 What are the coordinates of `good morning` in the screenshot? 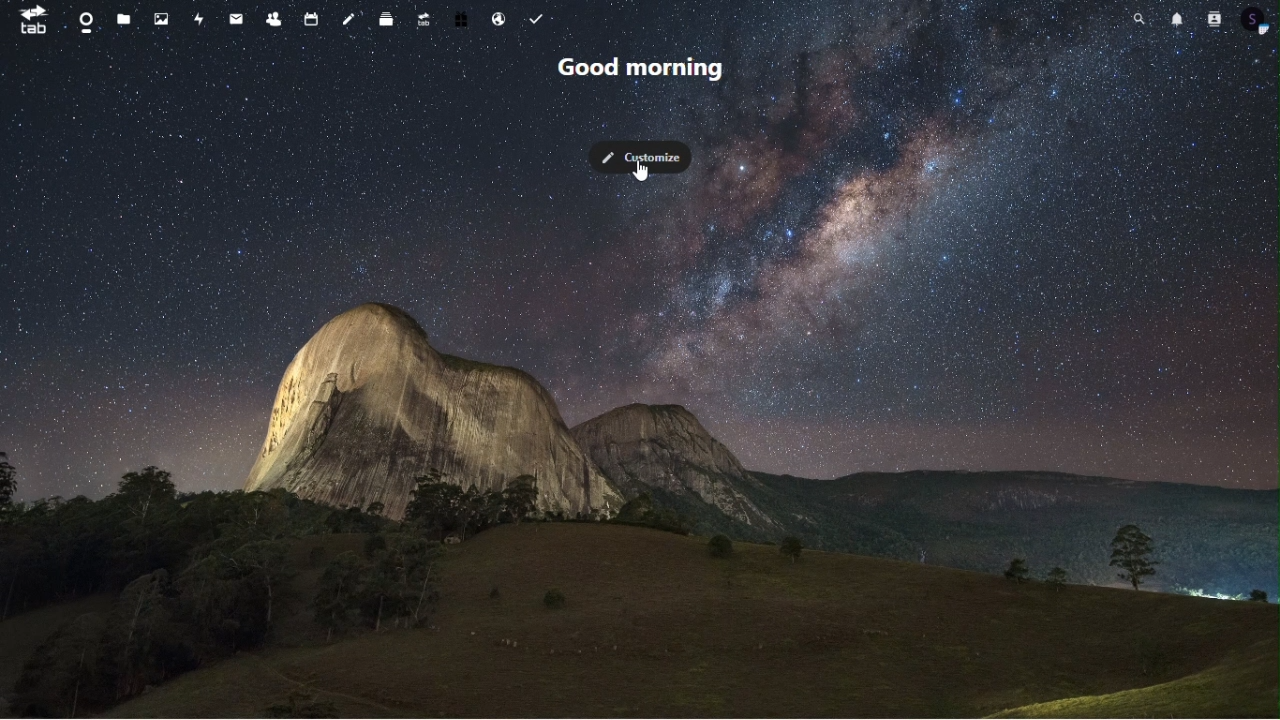 It's located at (638, 64).